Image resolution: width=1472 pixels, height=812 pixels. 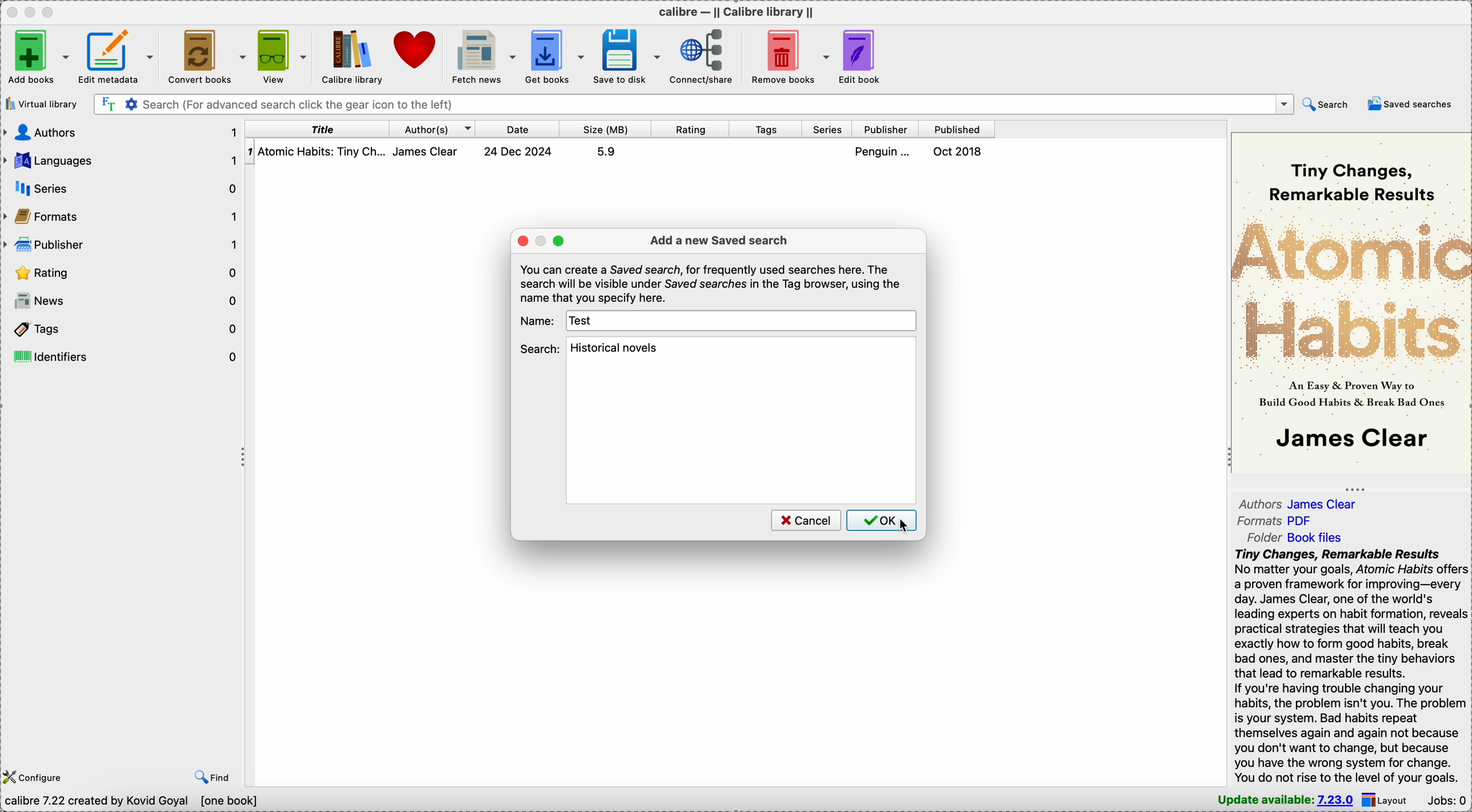 What do you see at coordinates (123, 356) in the screenshot?
I see `identifiers` at bounding box center [123, 356].